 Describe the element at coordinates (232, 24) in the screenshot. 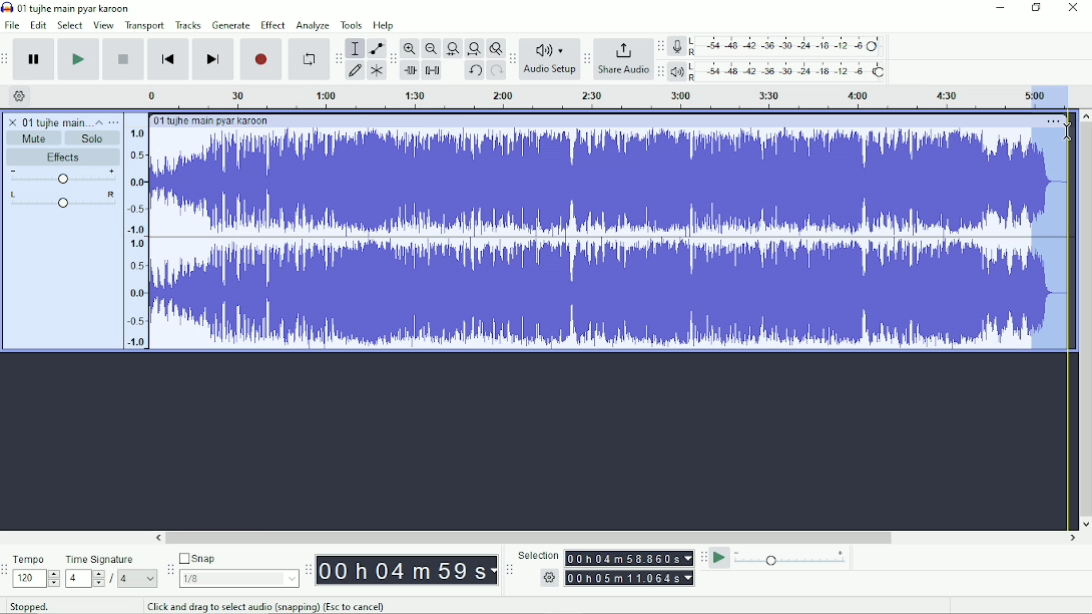

I see `Generate` at that location.